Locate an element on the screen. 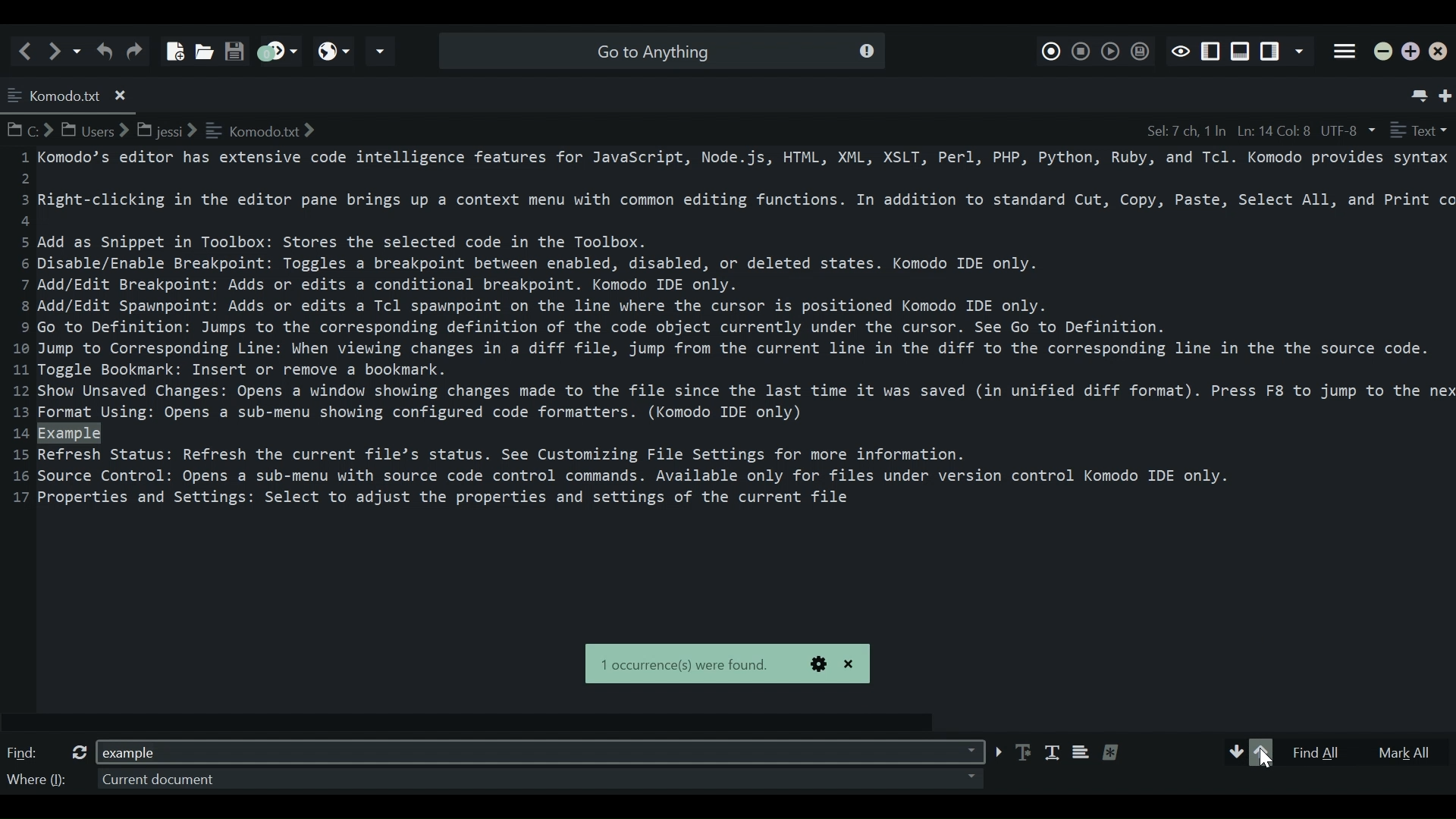  Share current file is located at coordinates (381, 52).